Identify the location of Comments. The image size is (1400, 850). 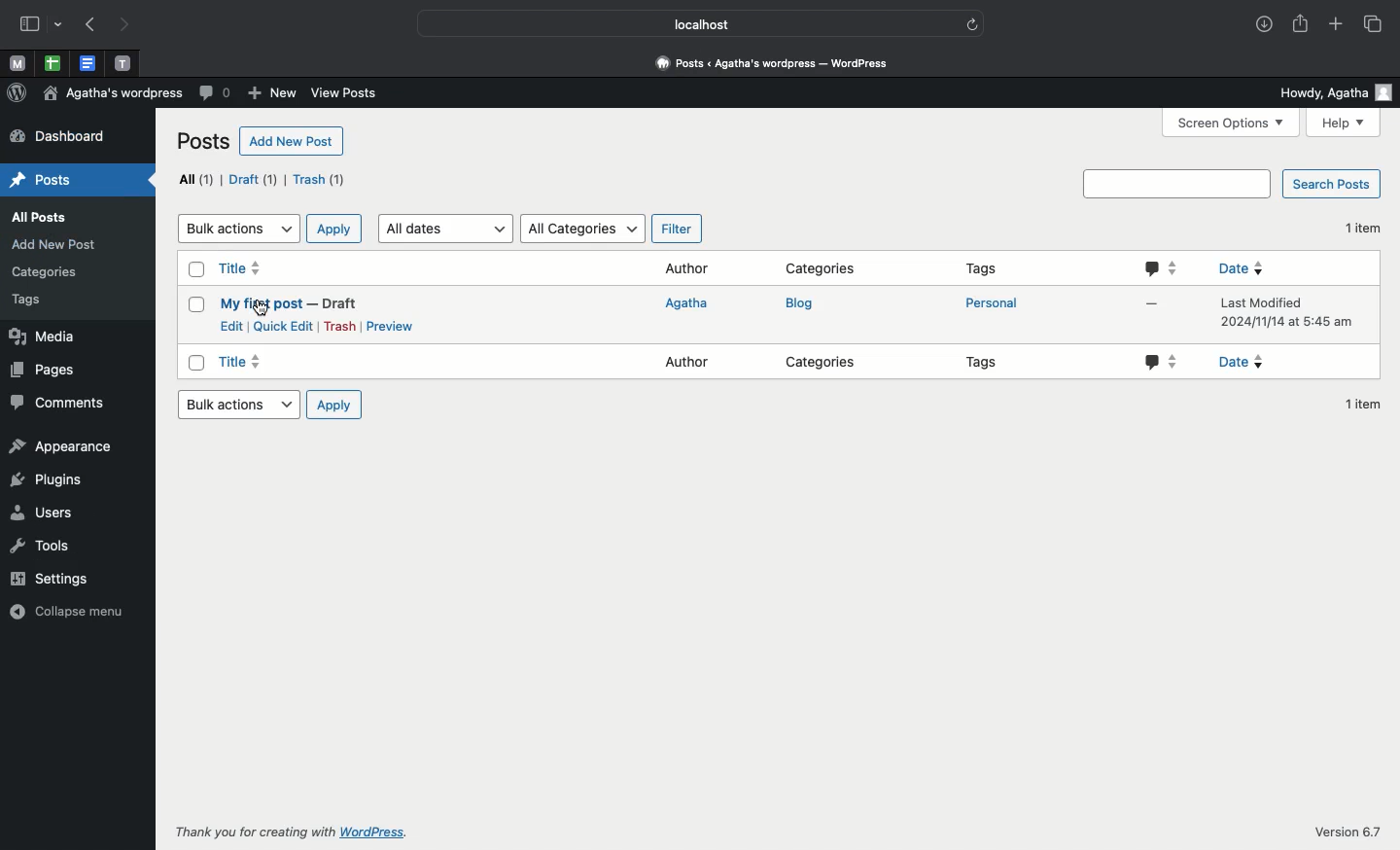
(216, 94).